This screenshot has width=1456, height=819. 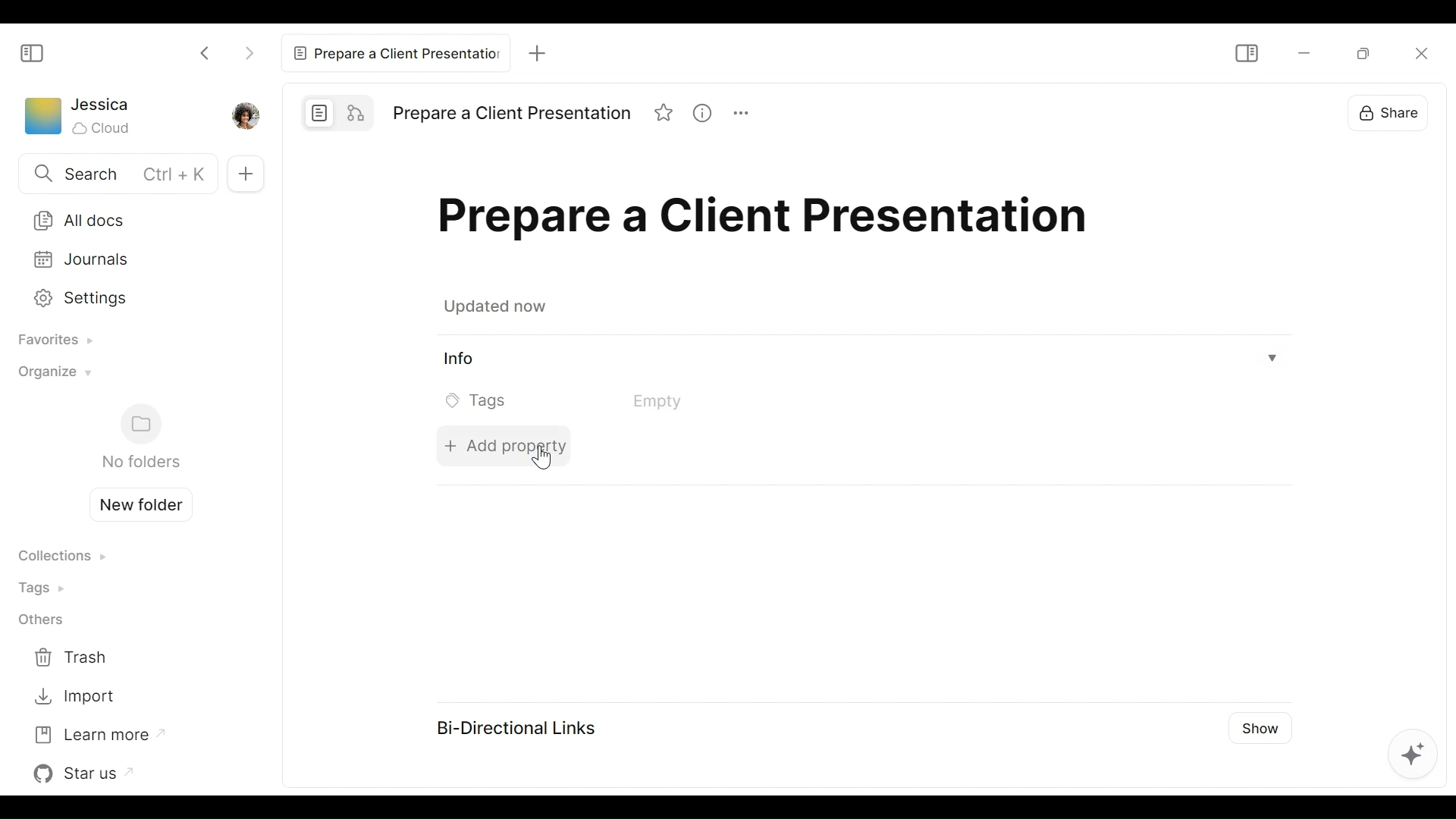 What do you see at coordinates (543, 463) in the screenshot?
I see `Cursor` at bounding box center [543, 463].